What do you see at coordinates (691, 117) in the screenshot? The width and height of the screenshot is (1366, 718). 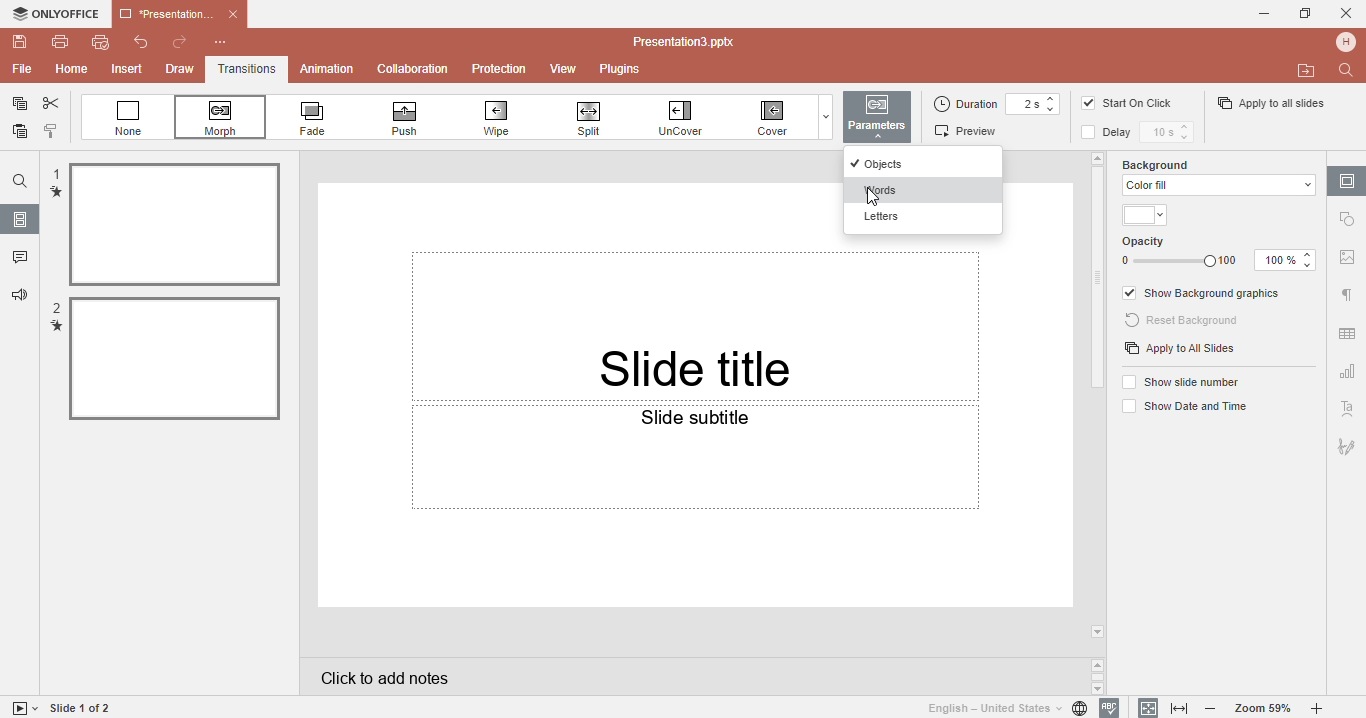 I see `Uncover` at bounding box center [691, 117].